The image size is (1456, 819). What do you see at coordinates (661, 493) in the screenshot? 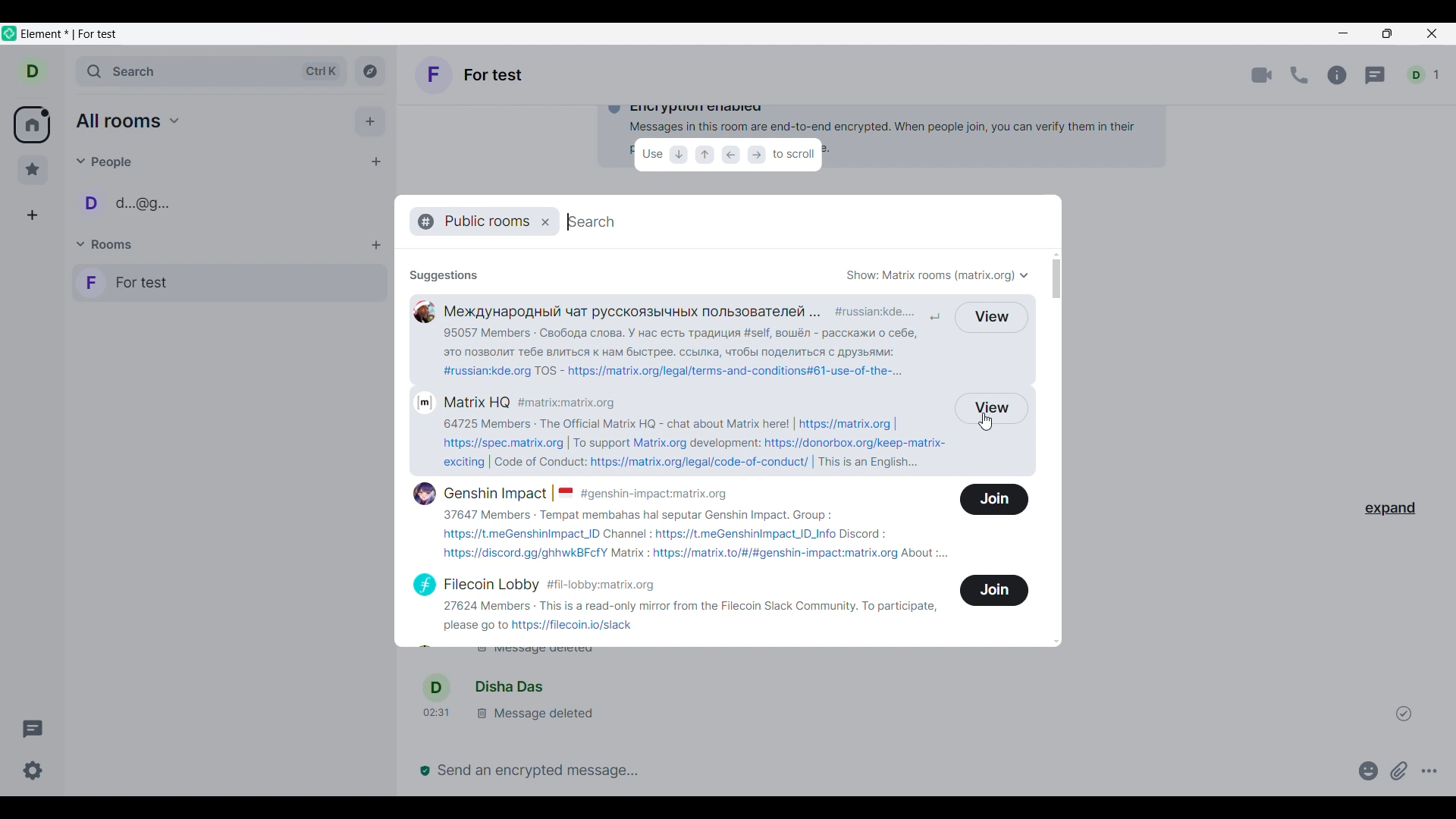
I see `#genshin-impact:matrix.org` at bounding box center [661, 493].